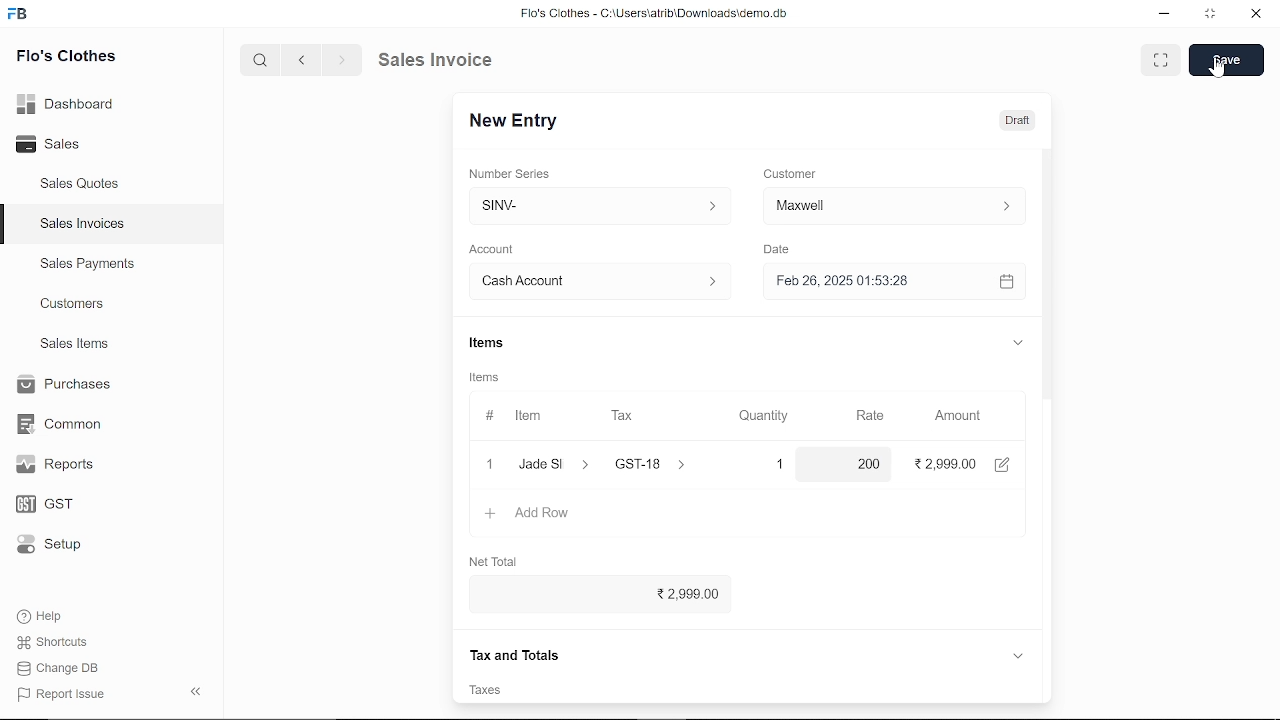  What do you see at coordinates (70, 103) in the screenshot?
I see `Dashboard` at bounding box center [70, 103].